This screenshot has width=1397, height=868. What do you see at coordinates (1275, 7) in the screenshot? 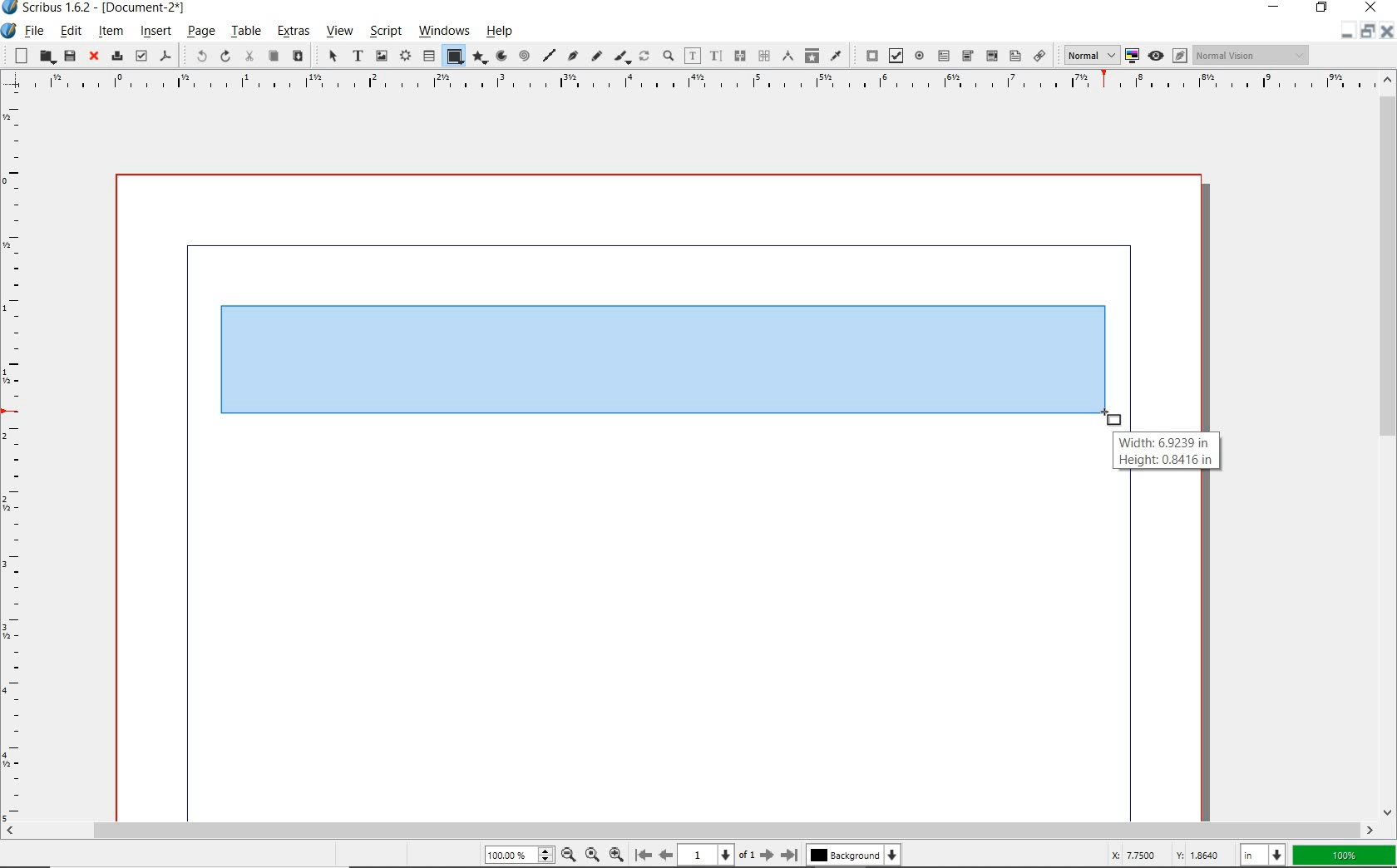
I see `minimize` at bounding box center [1275, 7].